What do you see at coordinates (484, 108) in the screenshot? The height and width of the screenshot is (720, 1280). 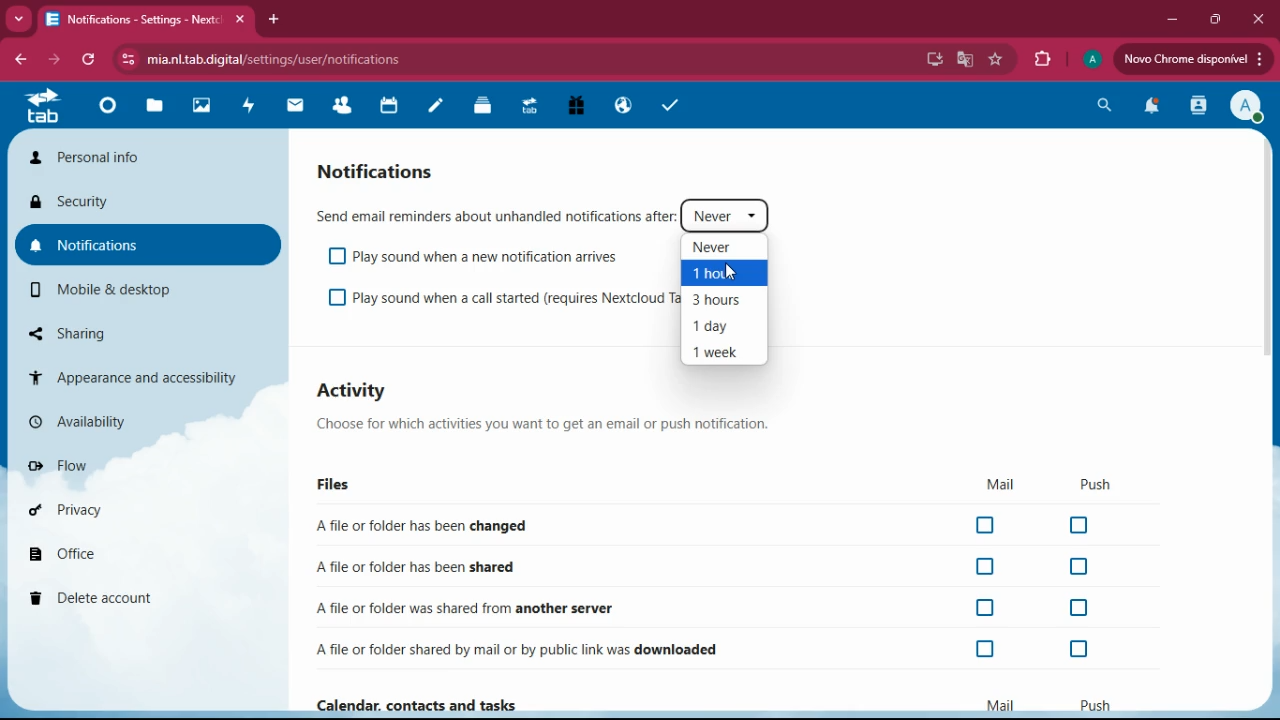 I see `files` at bounding box center [484, 108].